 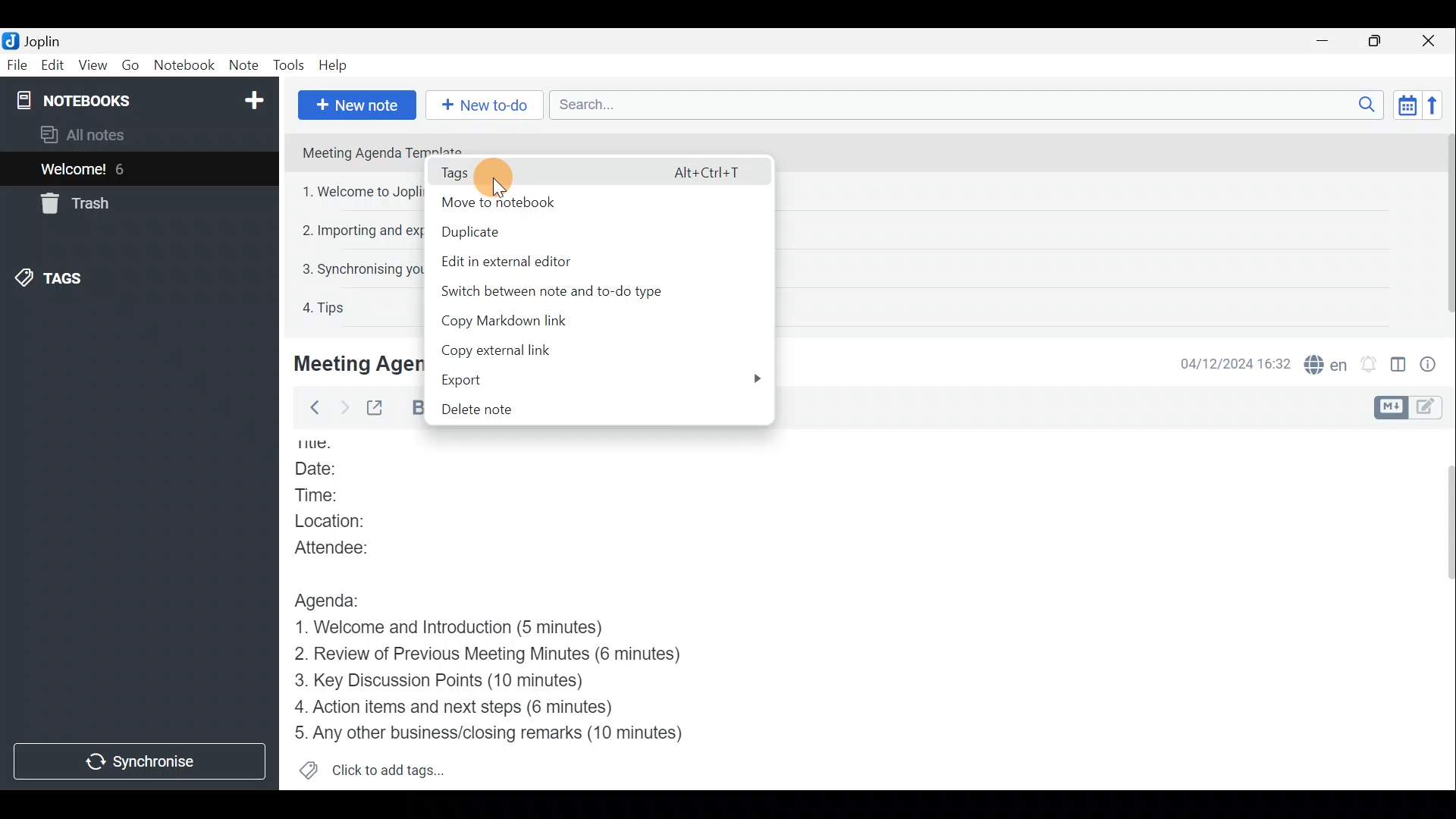 I want to click on Spell checker, so click(x=1327, y=362).